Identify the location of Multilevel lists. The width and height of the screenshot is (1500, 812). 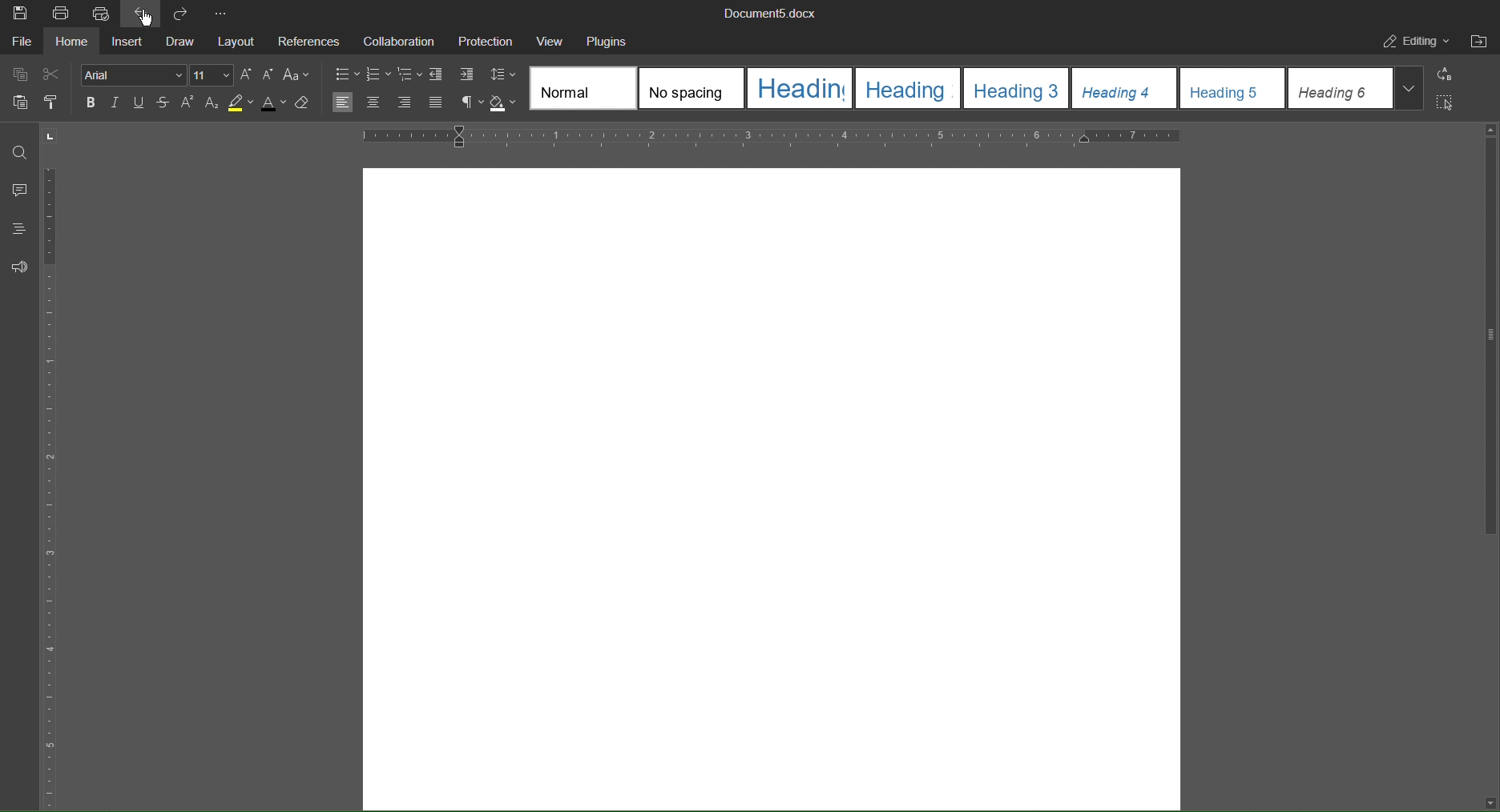
(411, 74).